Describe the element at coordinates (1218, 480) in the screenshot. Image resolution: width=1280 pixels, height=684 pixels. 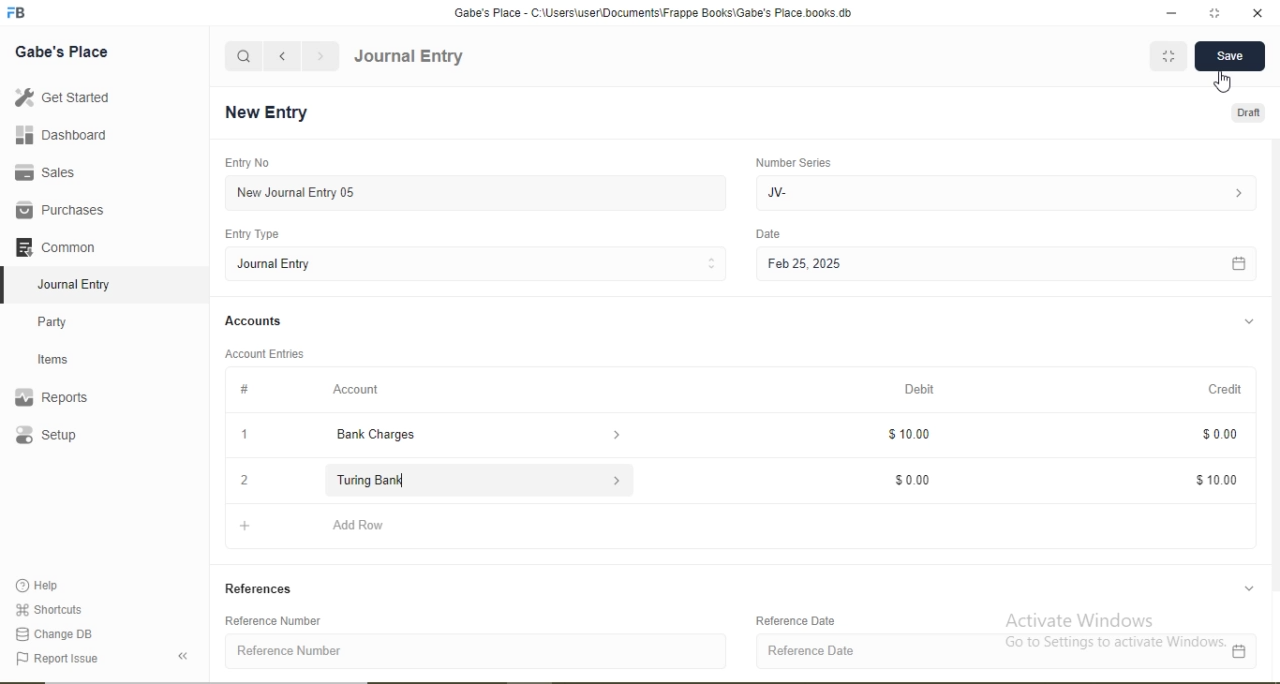
I see `$10.00` at that location.